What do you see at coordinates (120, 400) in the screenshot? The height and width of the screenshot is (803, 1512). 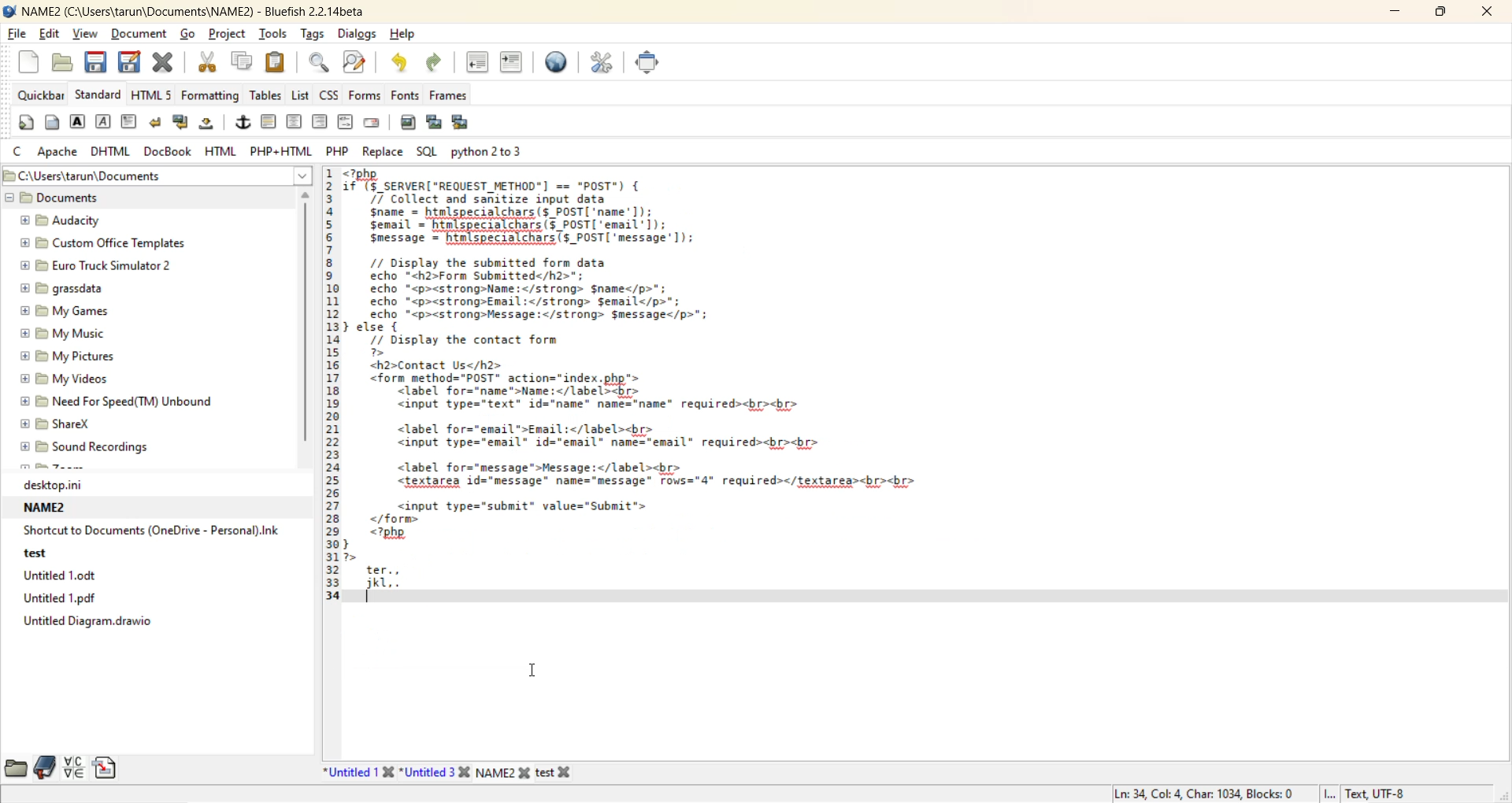 I see `Need For Speed(TM) Unbound` at bounding box center [120, 400].